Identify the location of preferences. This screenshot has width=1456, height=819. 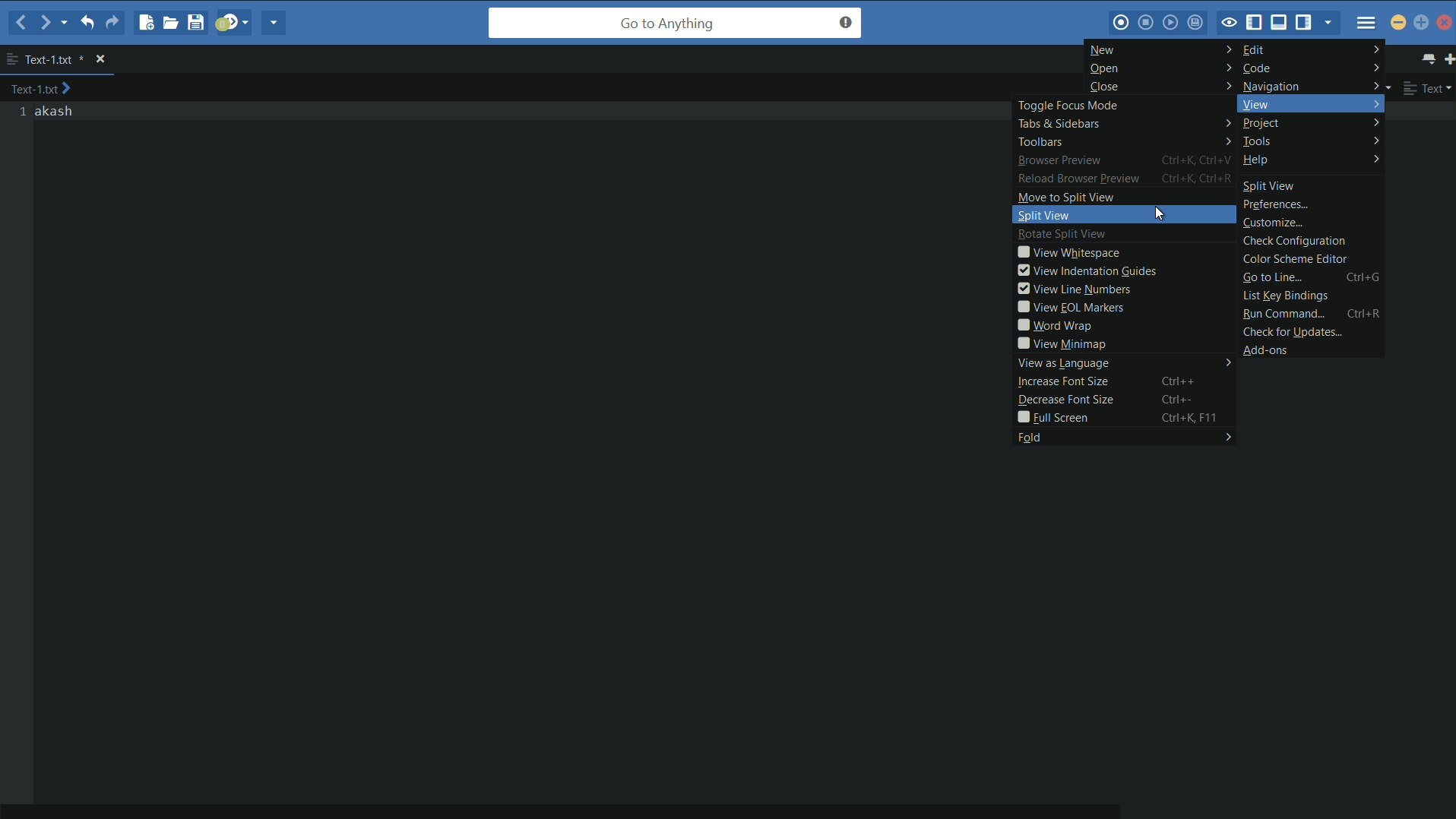
(1313, 206).